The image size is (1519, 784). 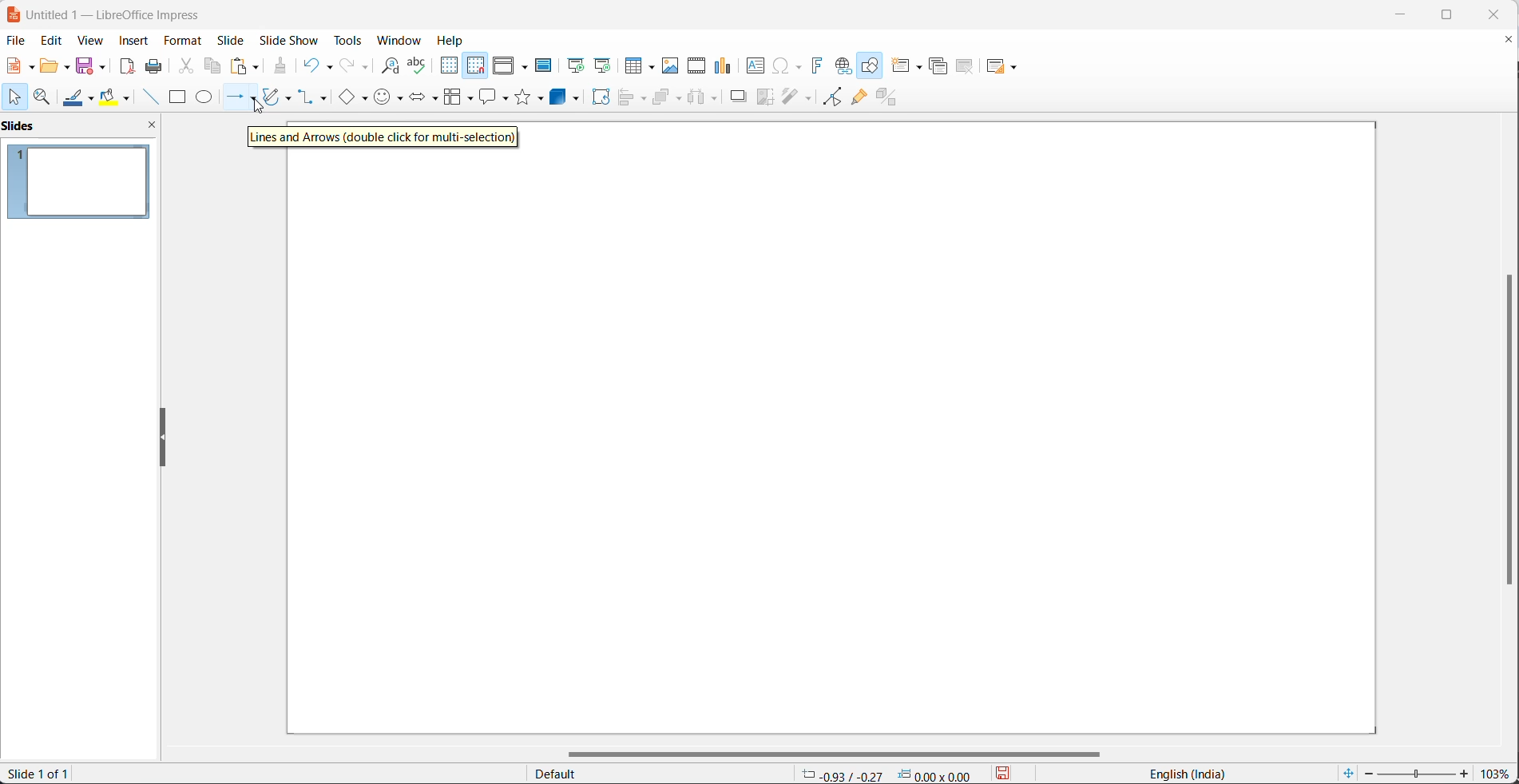 What do you see at coordinates (213, 65) in the screenshot?
I see `copy` at bounding box center [213, 65].